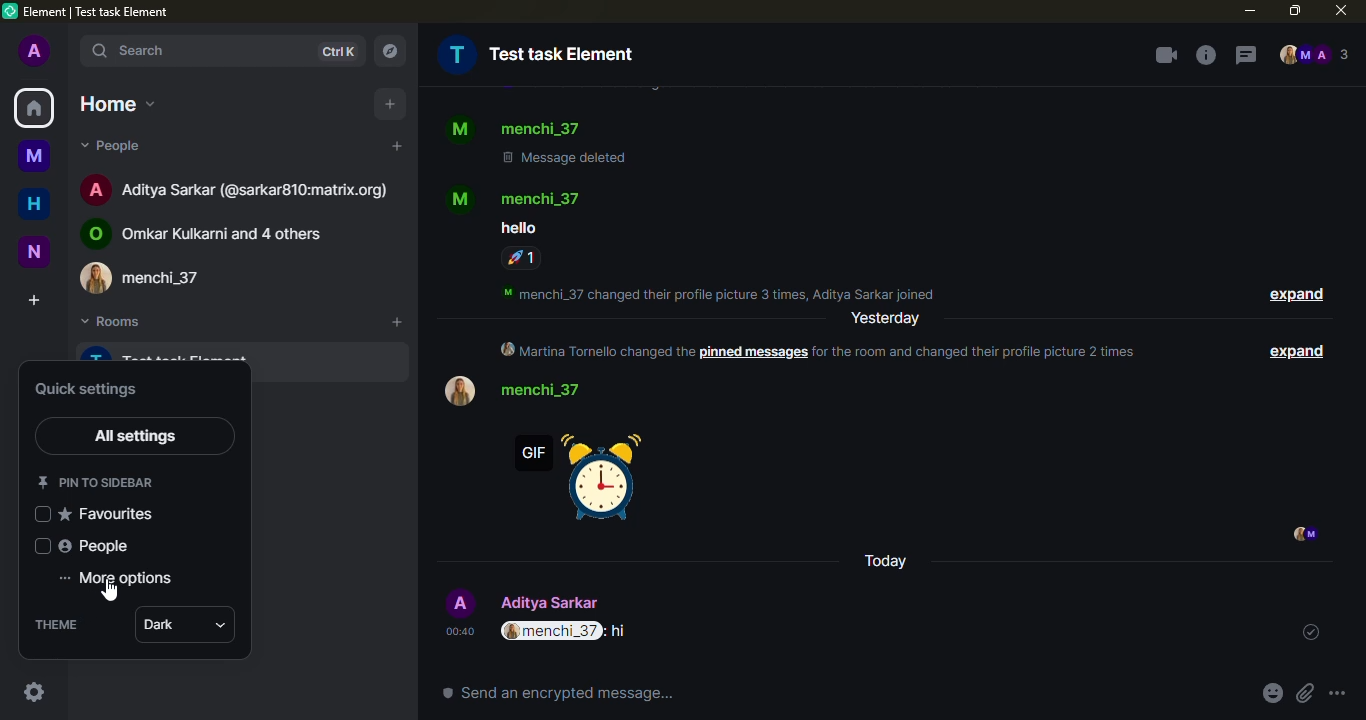 Image resolution: width=1366 pixels, height=720 pixels. I want to click on pin to sidebar, so click(97, 482).